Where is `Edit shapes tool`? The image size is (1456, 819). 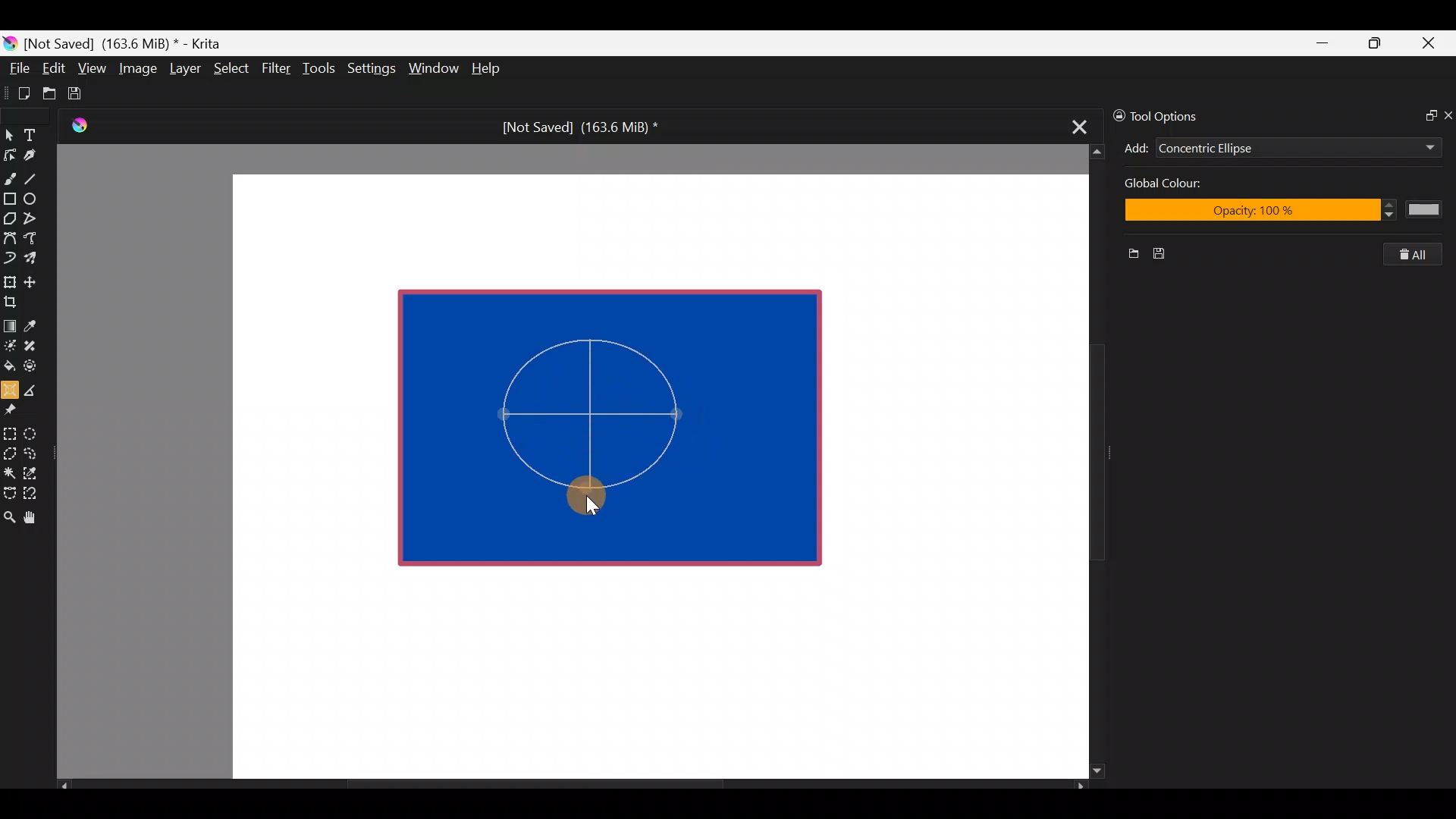
Edit shapes tool is located at coordinates (10, 154).